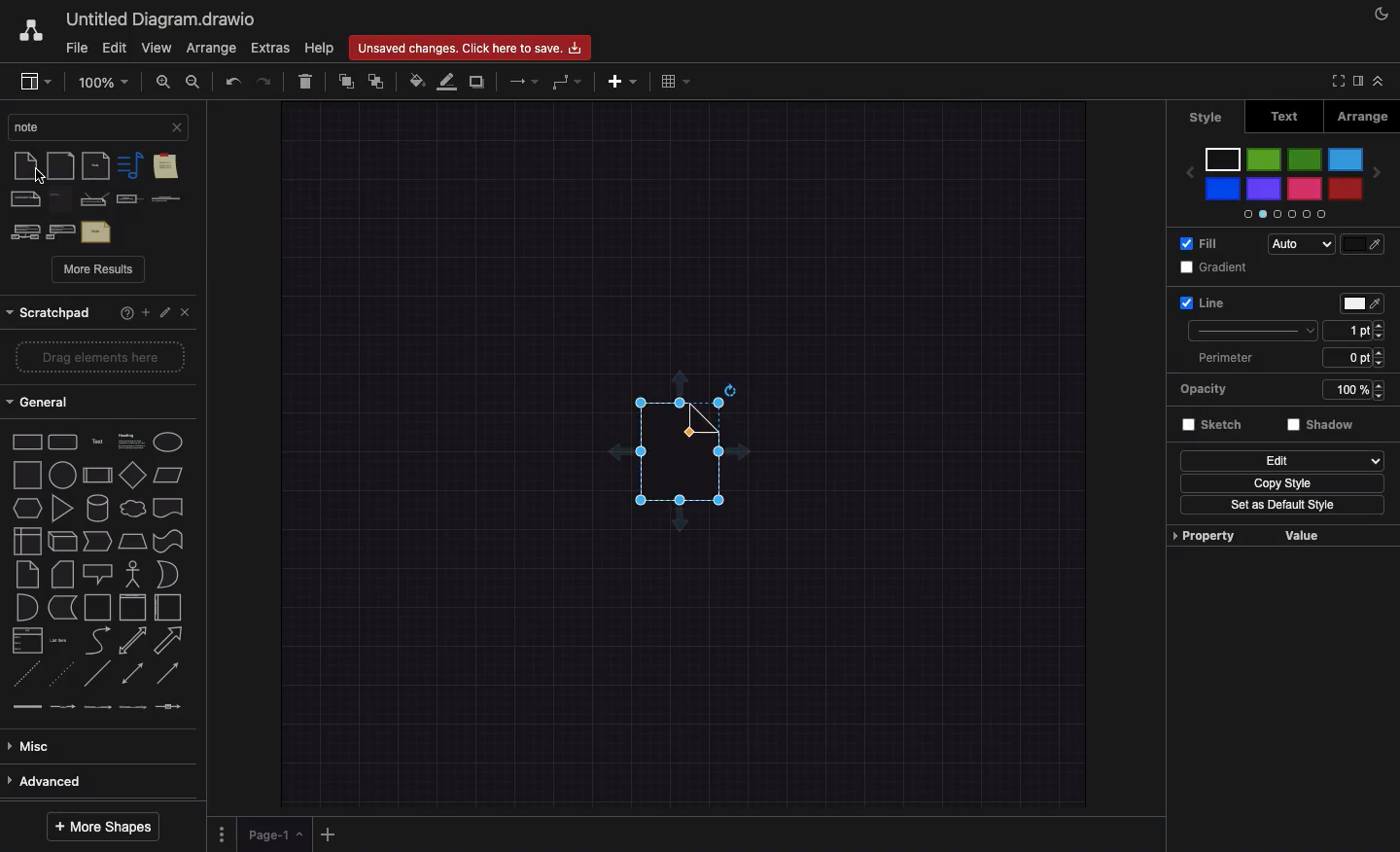 This screenshot has height=852, width=1400. Describe the element at coordinates (1224, 159) in the screenshot. I see `black` at that location.